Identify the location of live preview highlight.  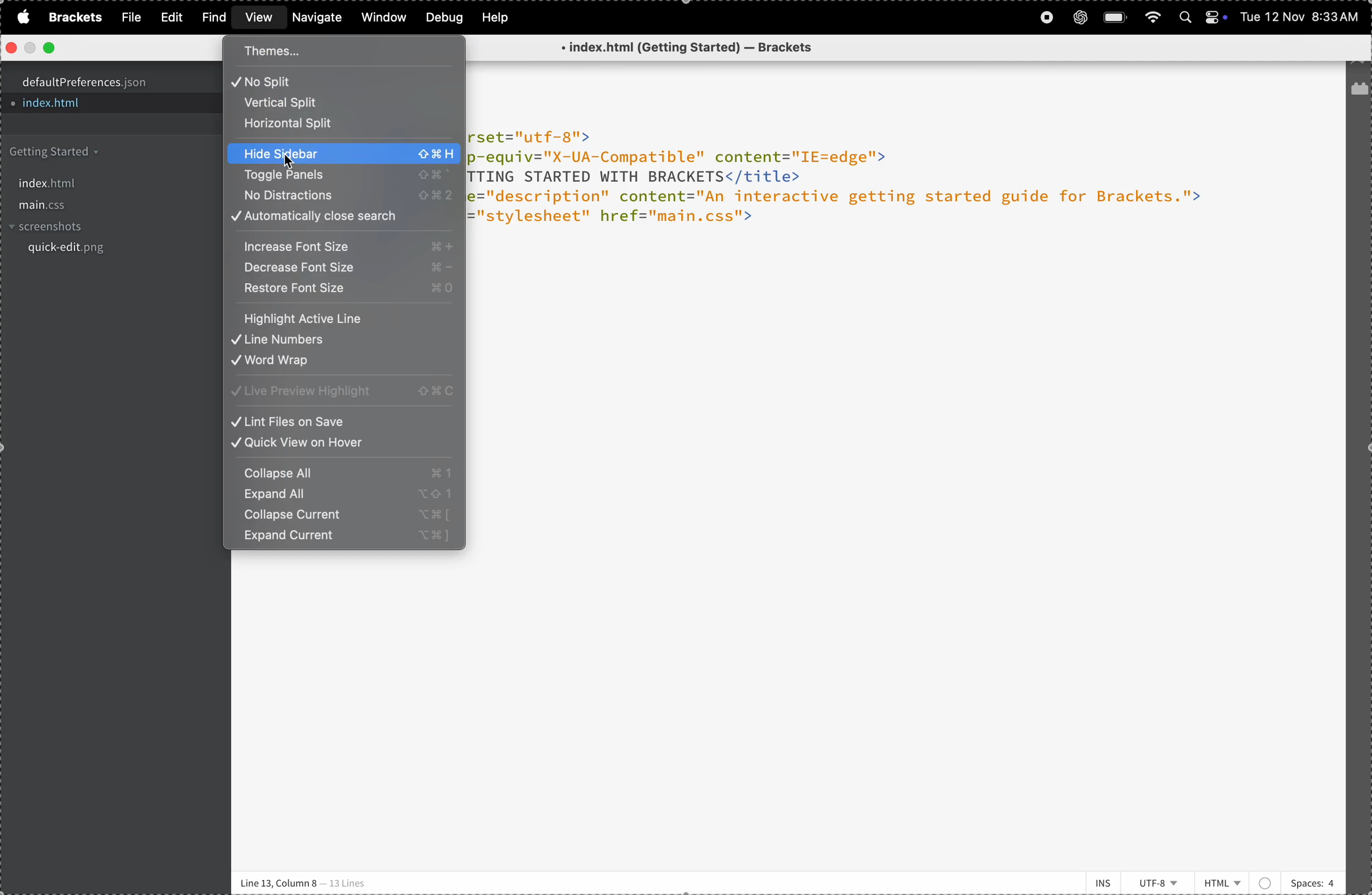
(345, 391).